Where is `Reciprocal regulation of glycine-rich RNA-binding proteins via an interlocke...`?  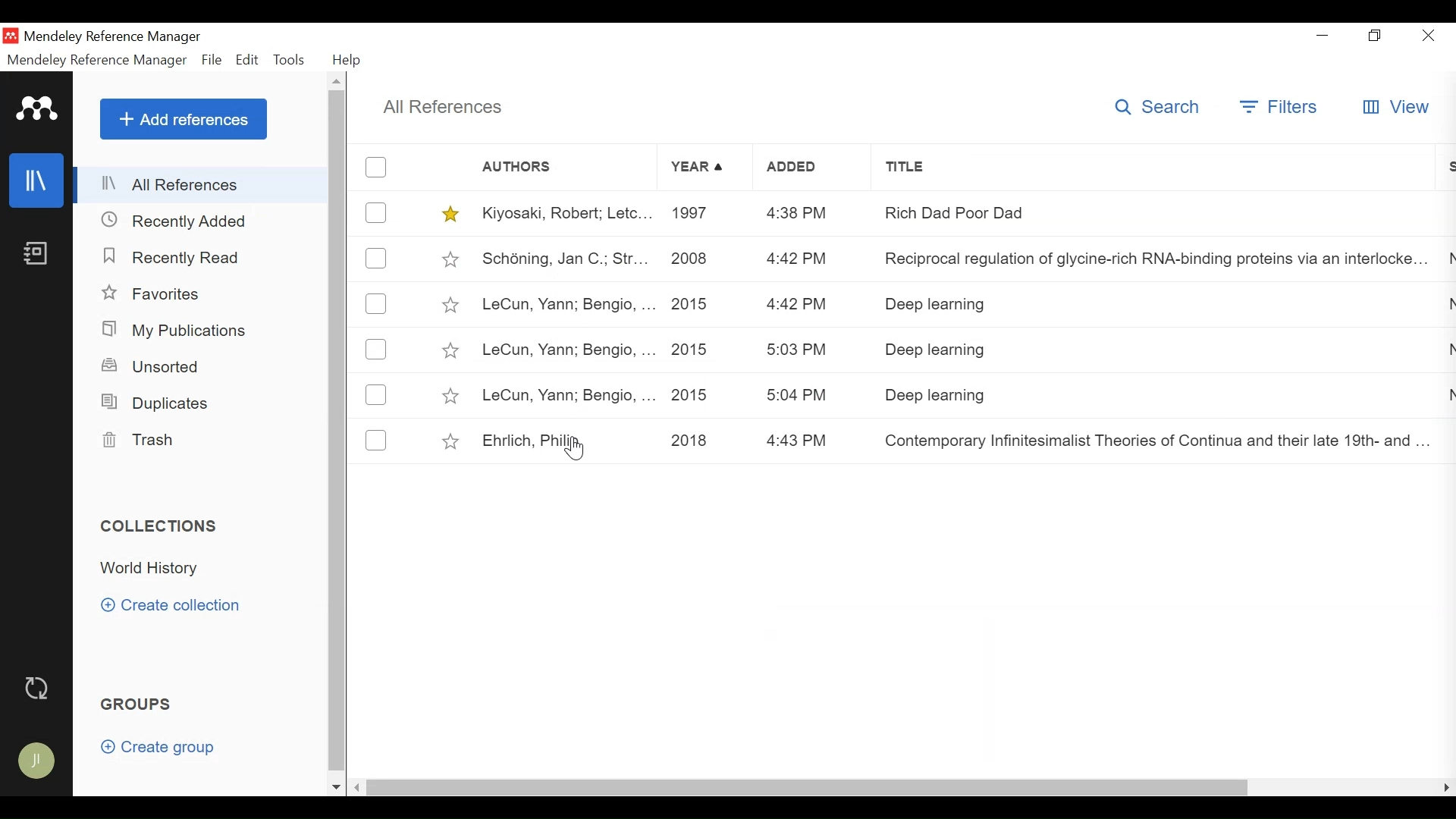 Reciprocal regulation of glycine-rich RNA-binding proteins via an interlocke... is located at coordinates (1154, 257).